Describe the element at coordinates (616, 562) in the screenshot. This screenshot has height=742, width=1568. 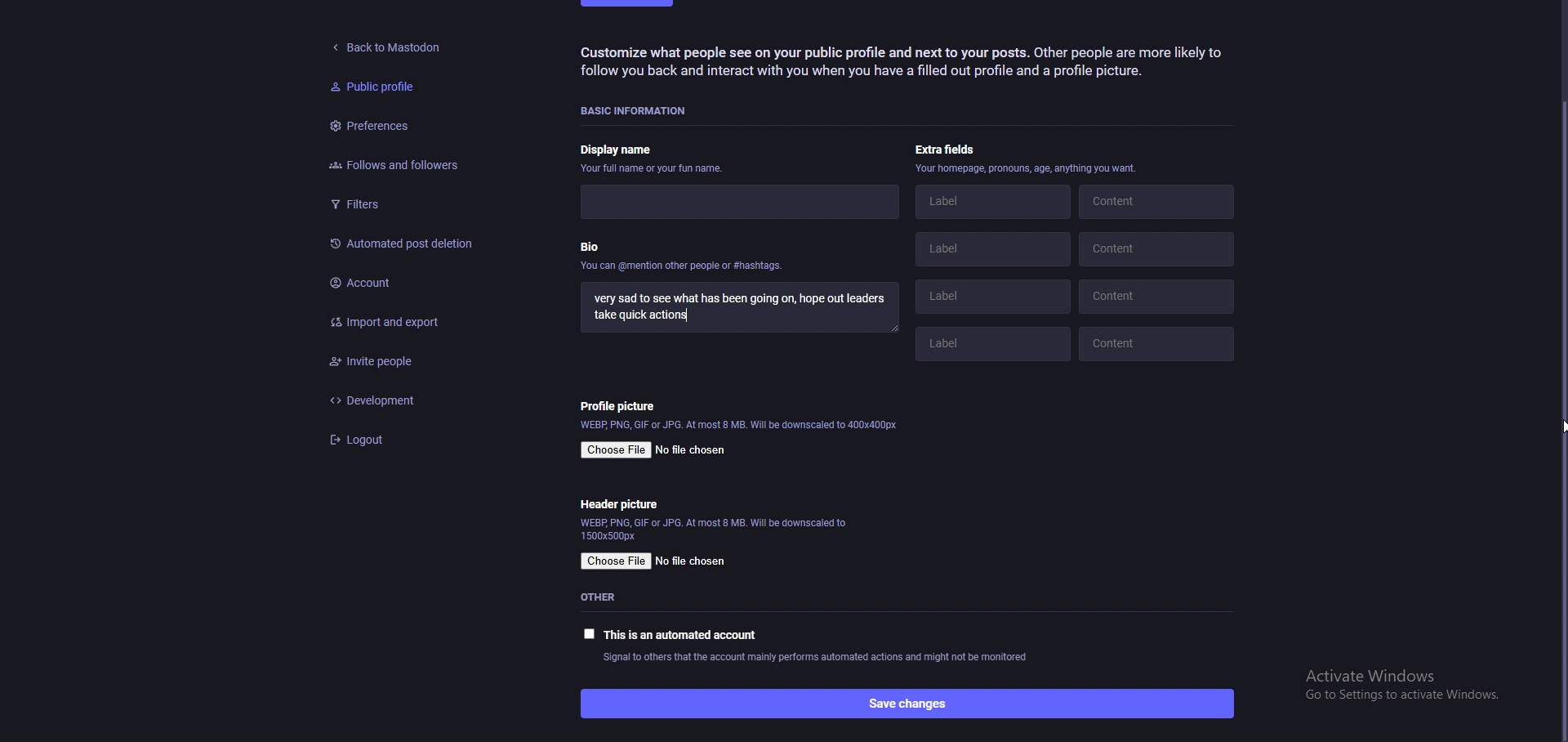
I see `choose file` at that location.